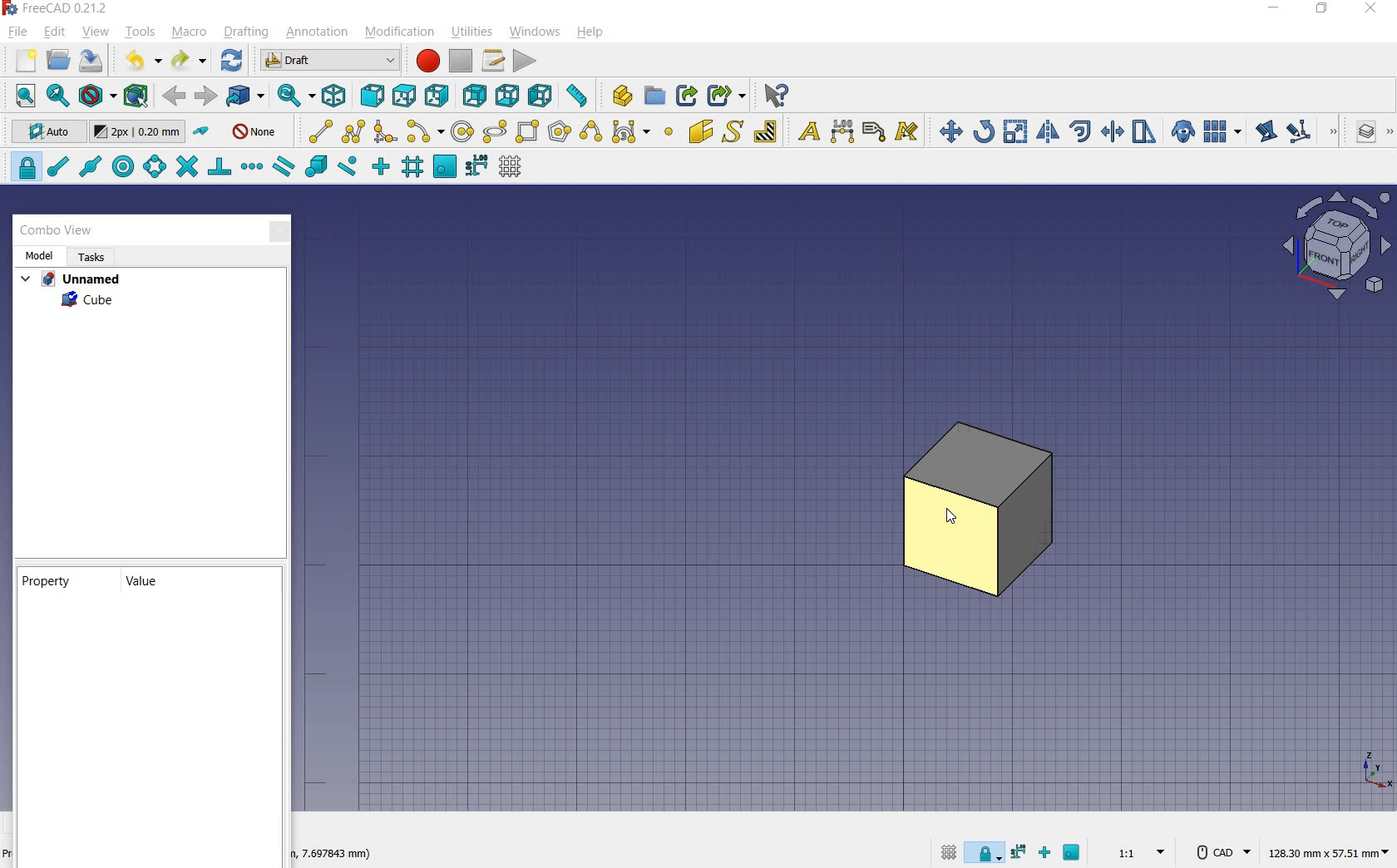  Describe the element at coordinates (402, 32) in the screenshot. I see `modification` at that location.